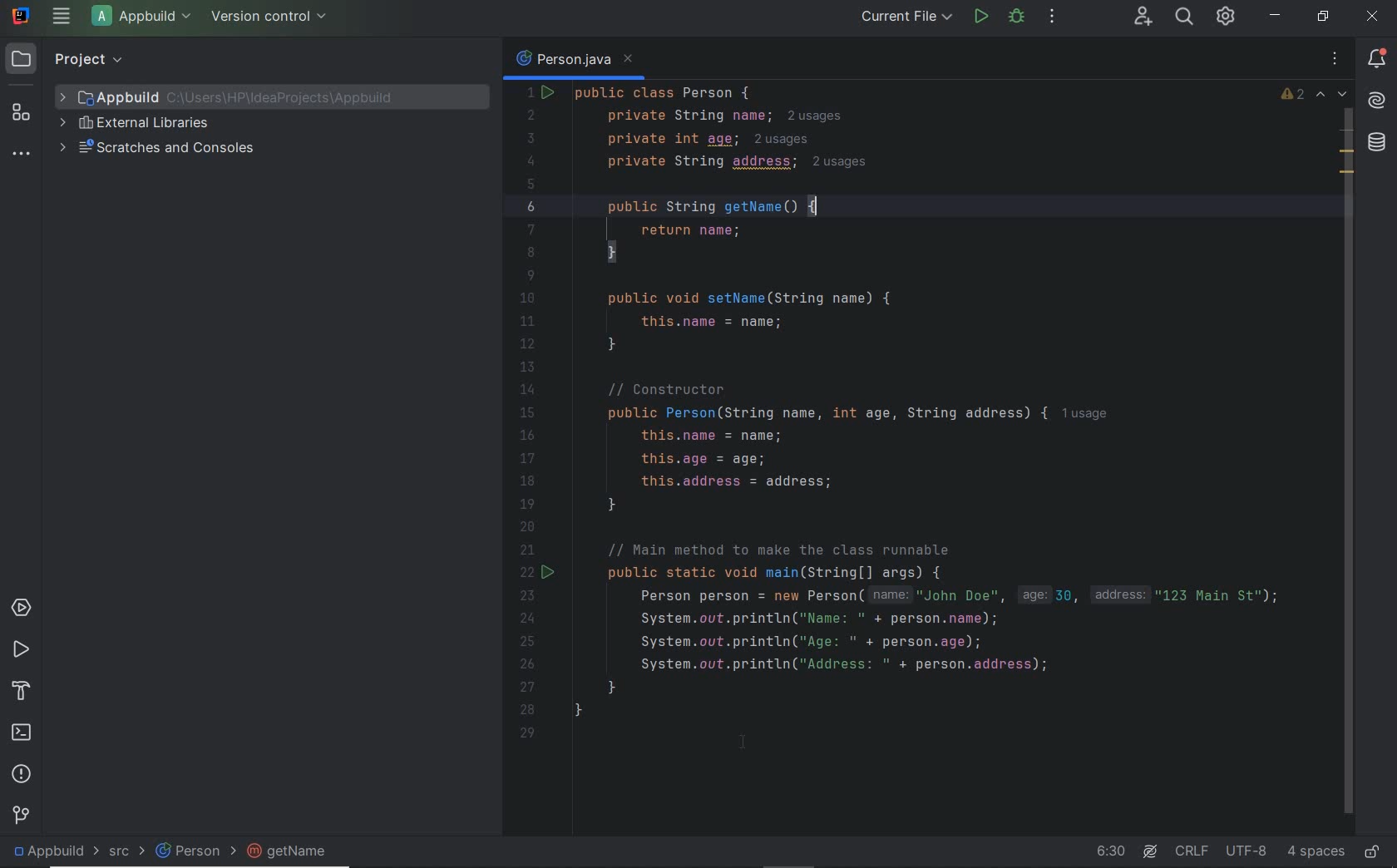 This screenshot has width=1397, height=868. What do you see at coordinates (749, 742) in the screenshot?
I see `cursor` at bounding box center [749, 742].